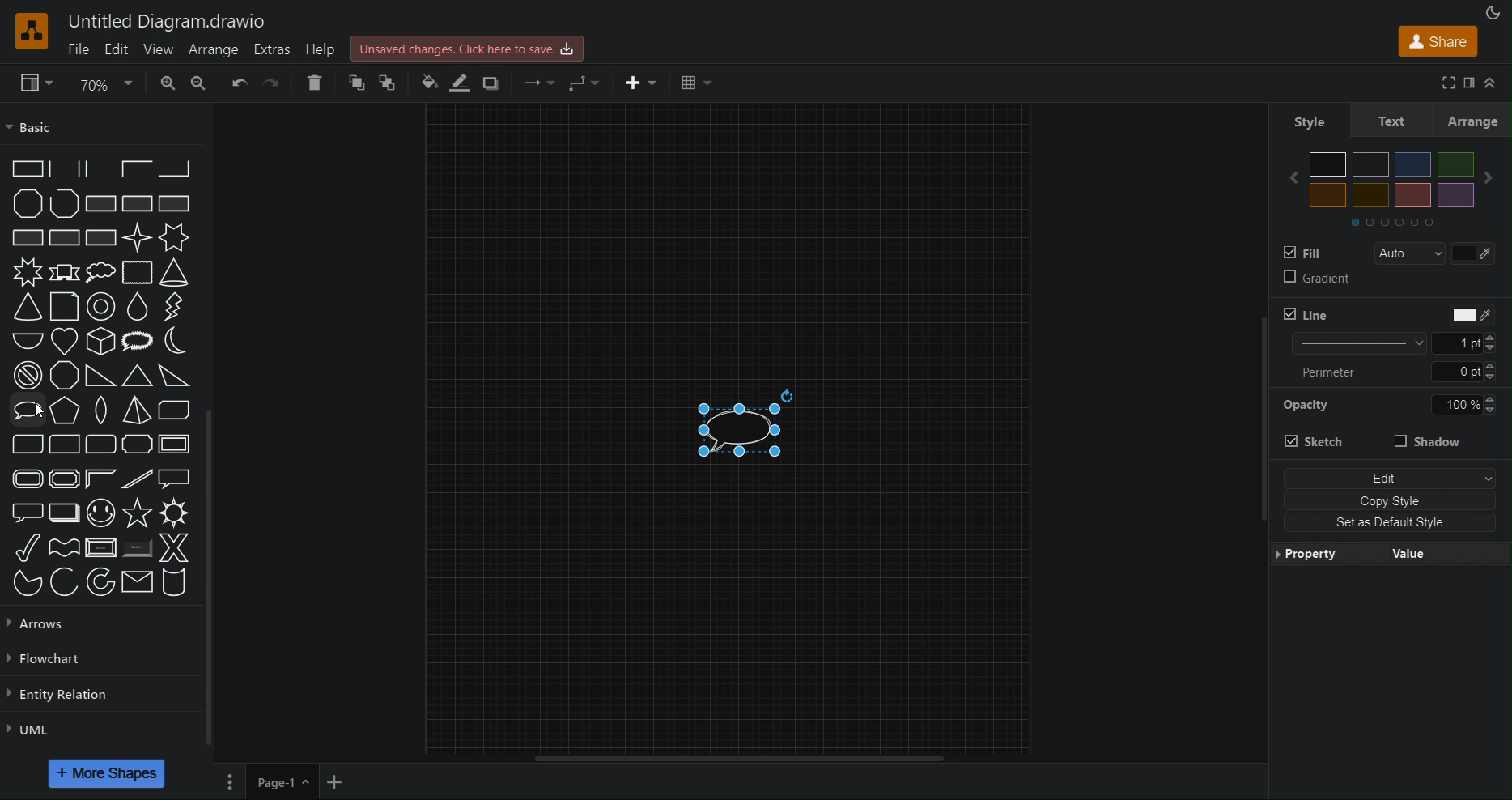 Image resolution: width=1512 pixels, height=800 pixels. Describe the element at coordinates (337, 780) in the screenshot. I see `New Page` at that location.